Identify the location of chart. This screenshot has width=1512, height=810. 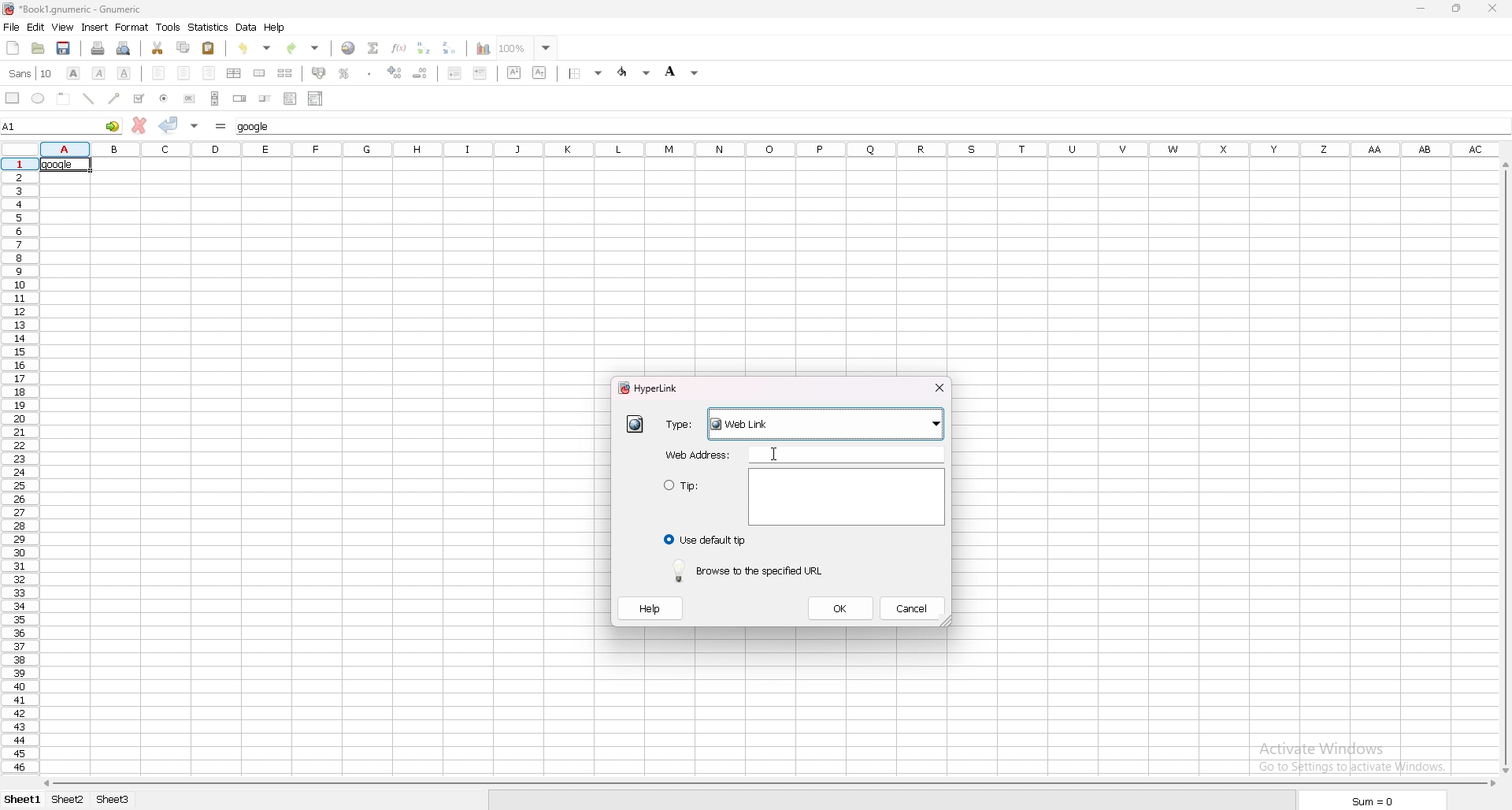
(484, 50).